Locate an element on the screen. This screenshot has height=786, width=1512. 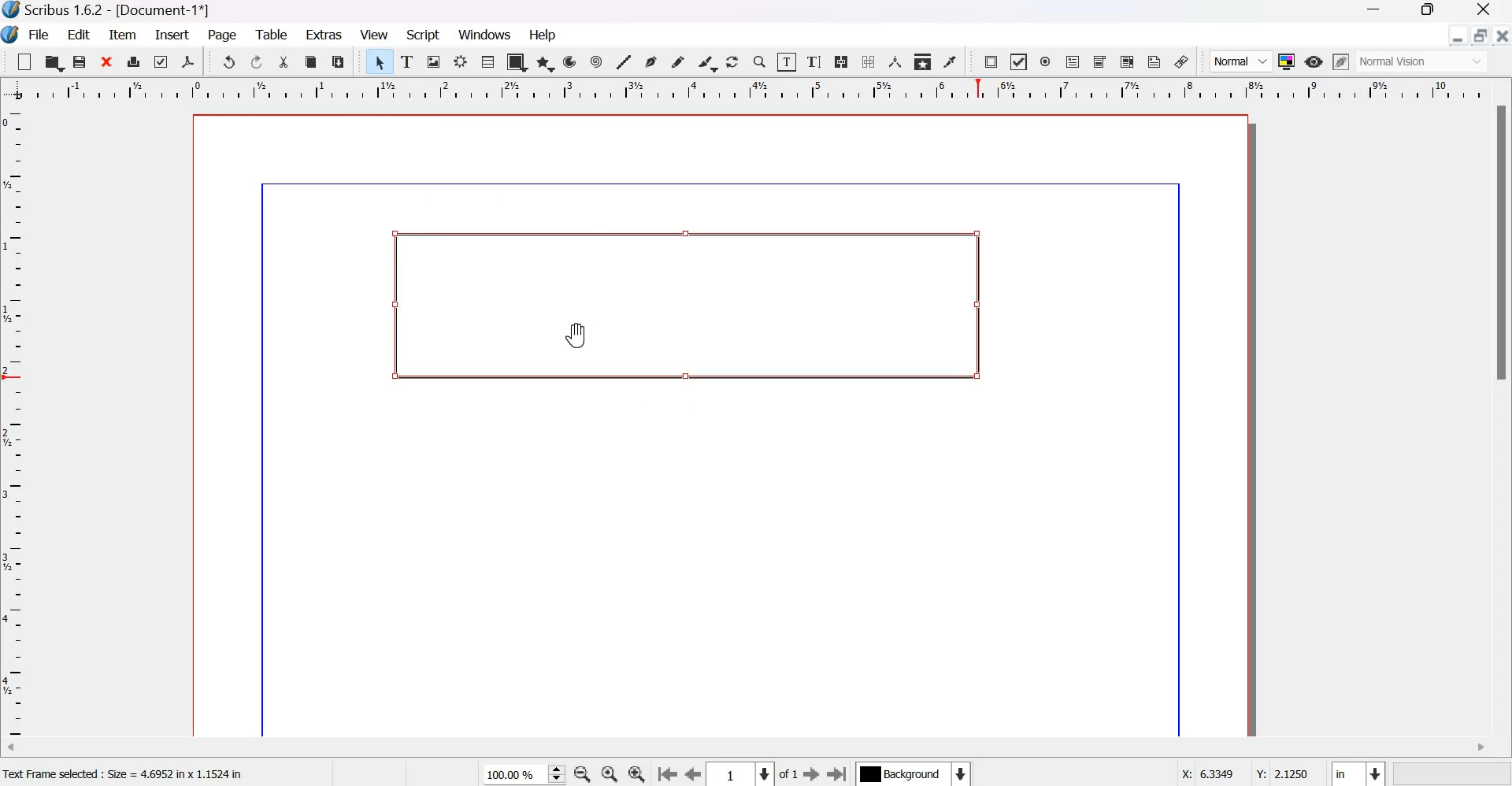
Calligraphic line is located at coordinates (707, 61).